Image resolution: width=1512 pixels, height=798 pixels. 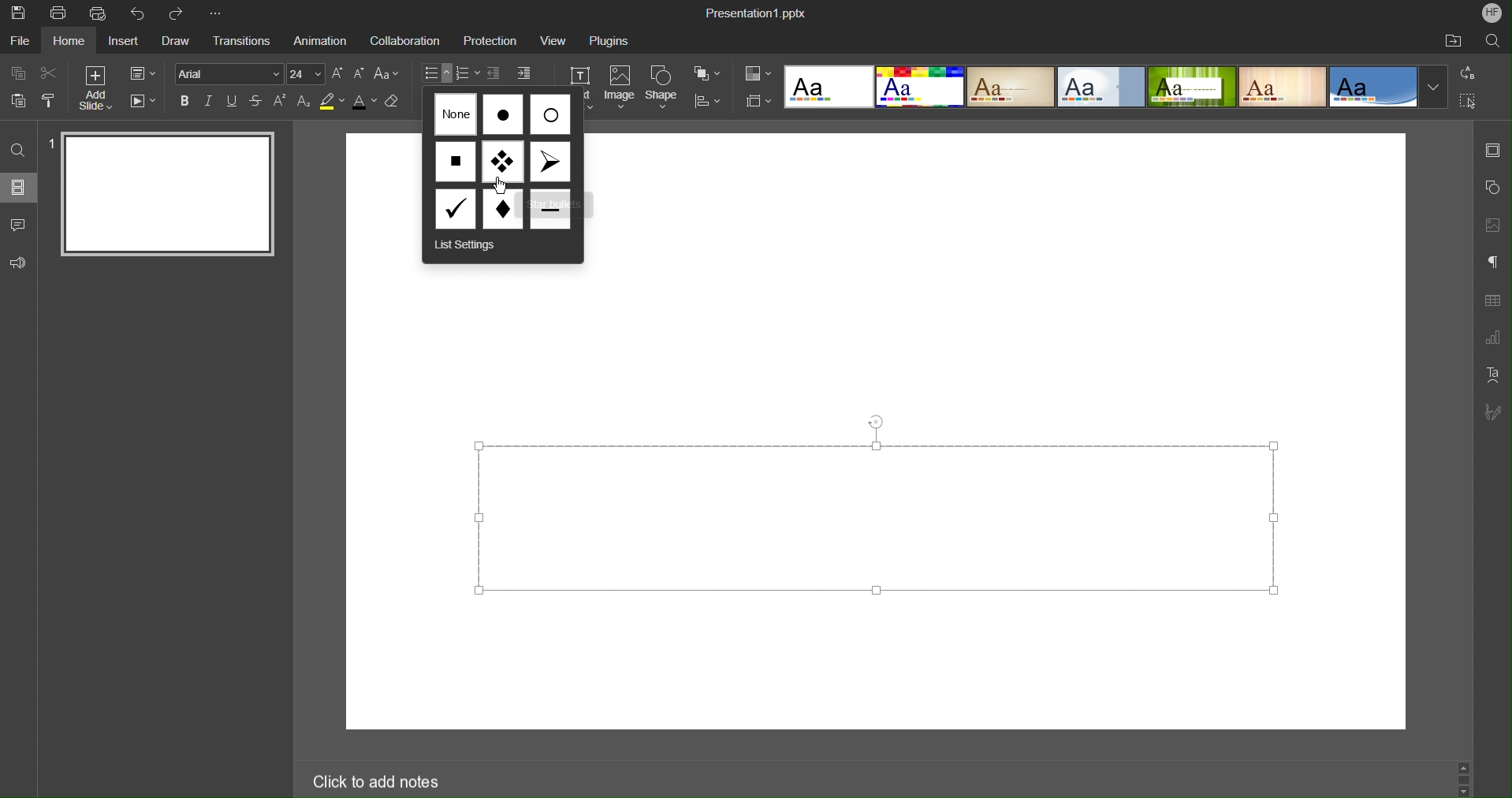 What do you see at coordinates (1463, 792) in the screenshot?
I see `scroll down` at bounding box center [1463, 792].